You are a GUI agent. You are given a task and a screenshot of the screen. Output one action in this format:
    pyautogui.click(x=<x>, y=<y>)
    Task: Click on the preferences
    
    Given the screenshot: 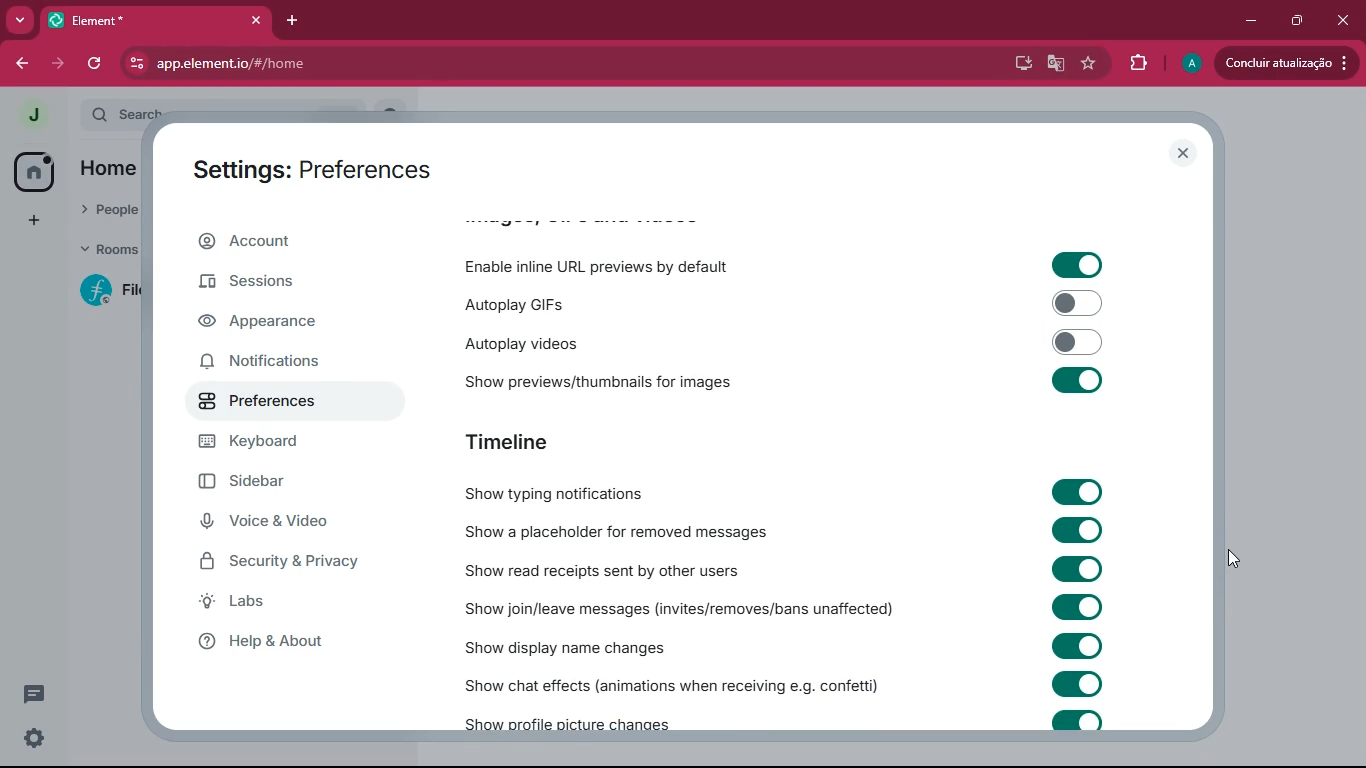 What is the action you would take?
    pyautogui.click(x=270, y=400)
    